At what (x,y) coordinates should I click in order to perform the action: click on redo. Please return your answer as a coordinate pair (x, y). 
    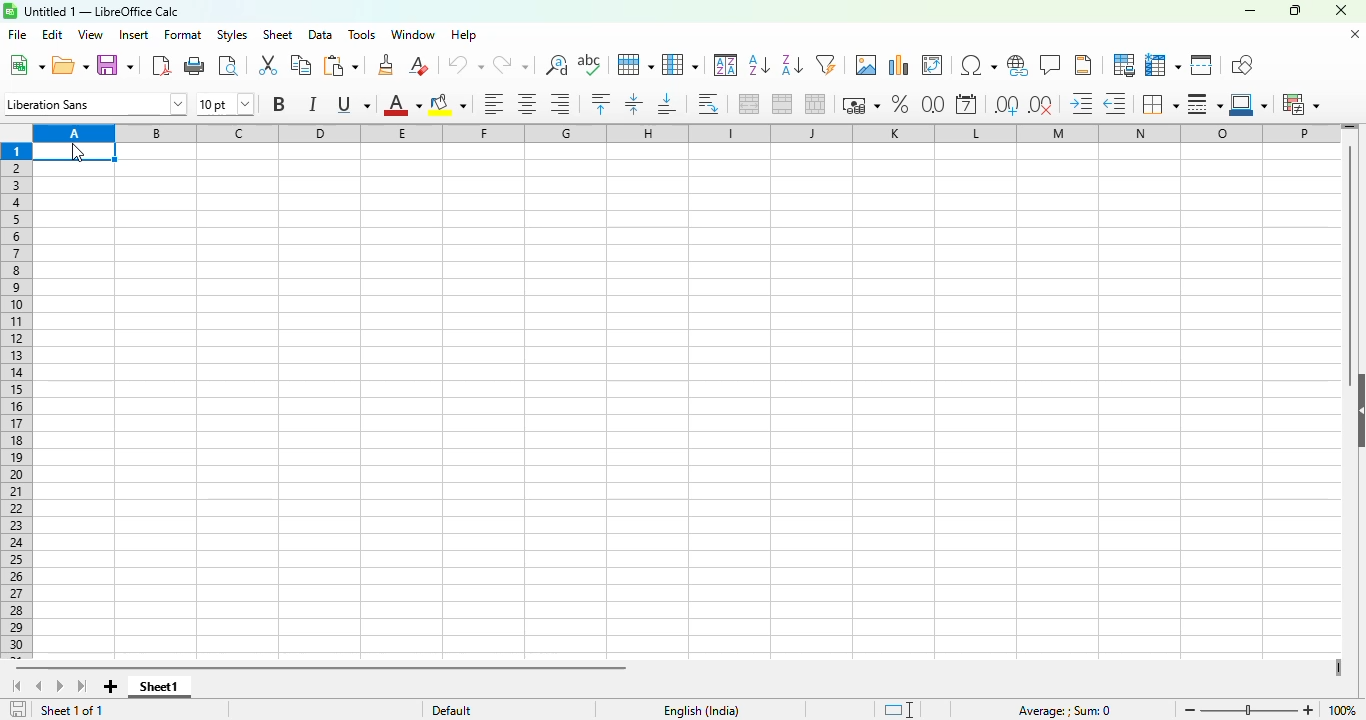
    Looking at the image, I should click on (511, 65).